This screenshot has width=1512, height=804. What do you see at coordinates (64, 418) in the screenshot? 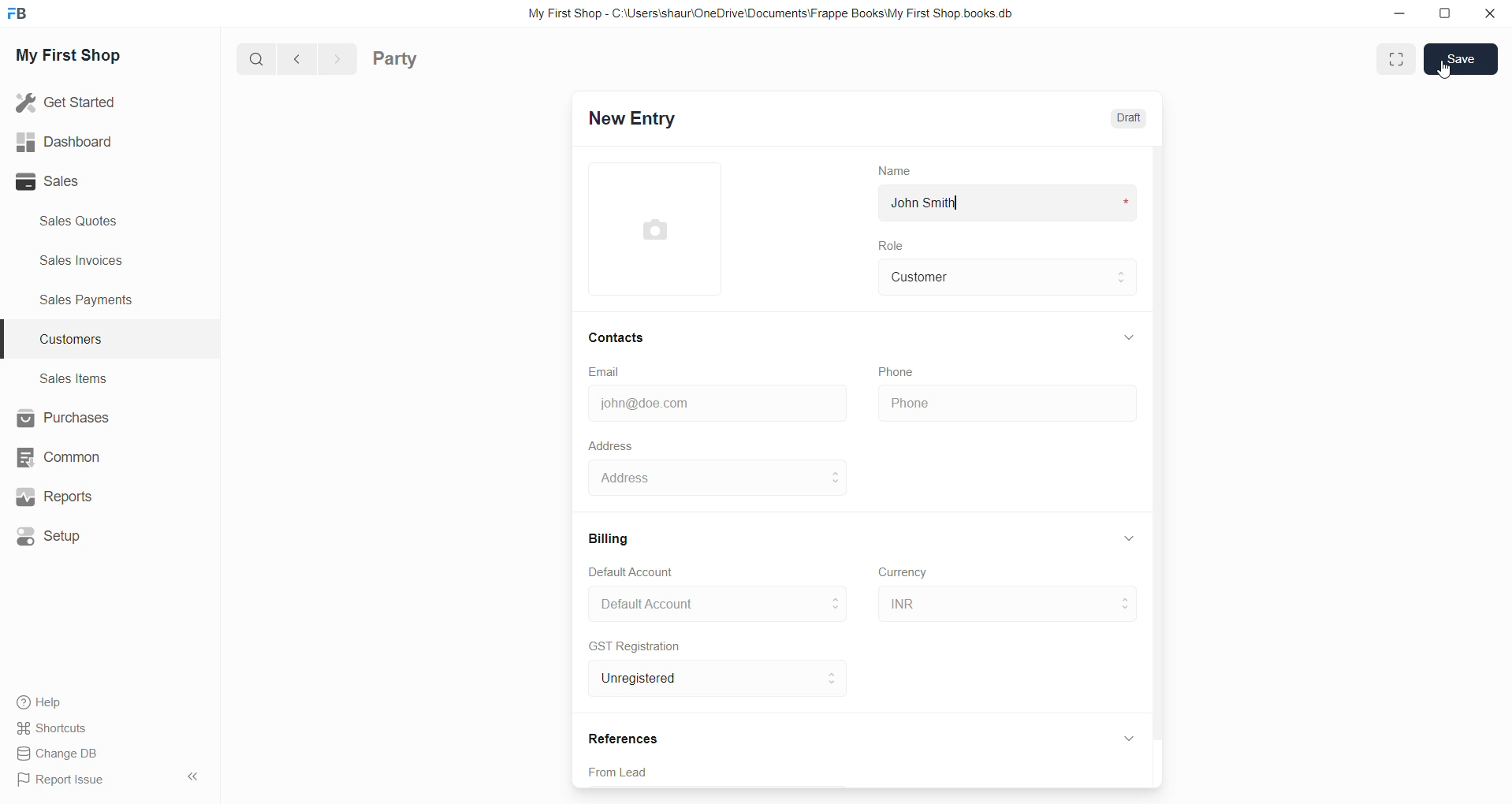
I see `Purchases` at bounding box center [64, 418].